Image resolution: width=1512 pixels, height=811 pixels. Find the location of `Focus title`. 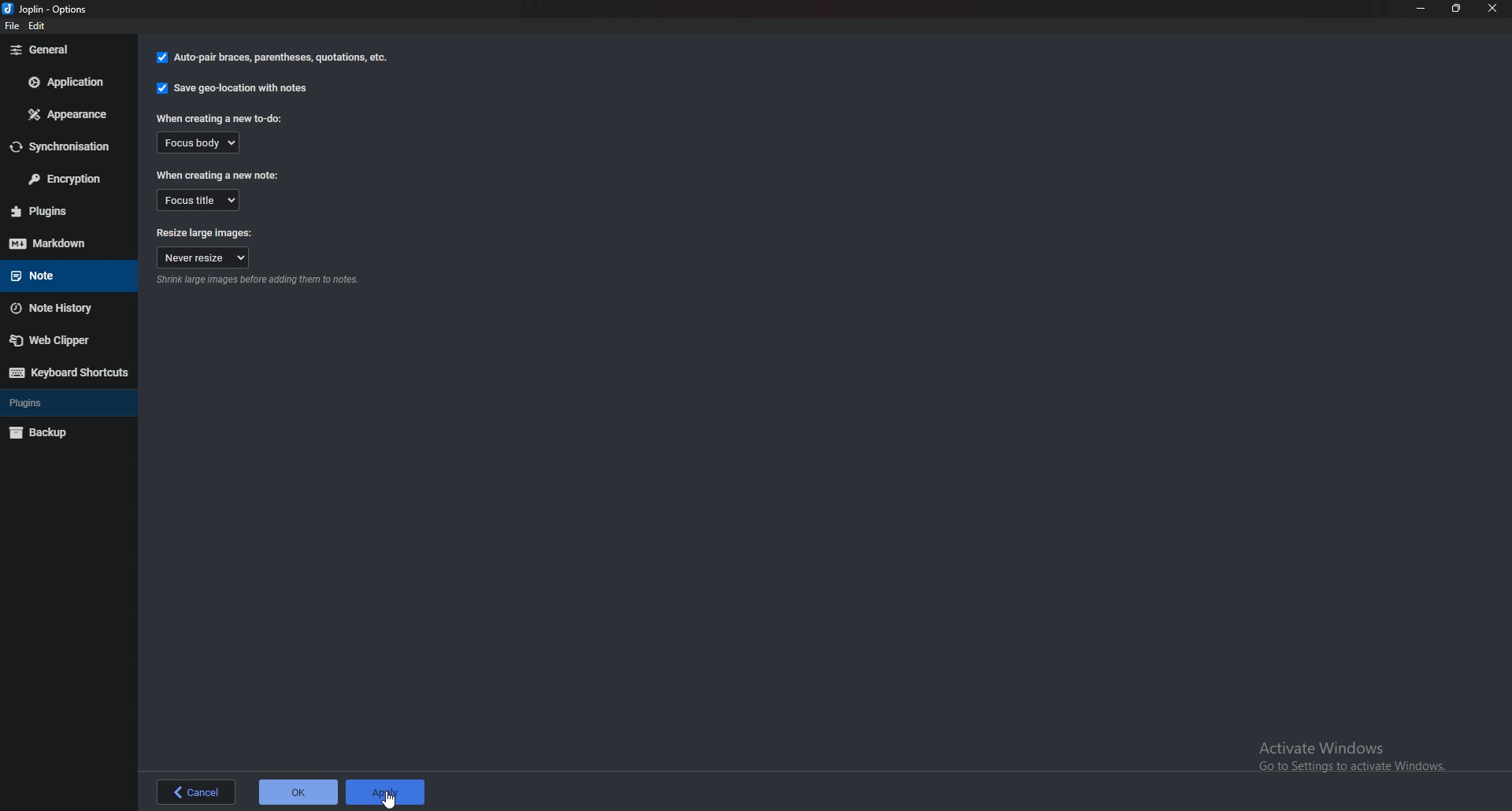

Focus title is located at coordinates (199, 199).